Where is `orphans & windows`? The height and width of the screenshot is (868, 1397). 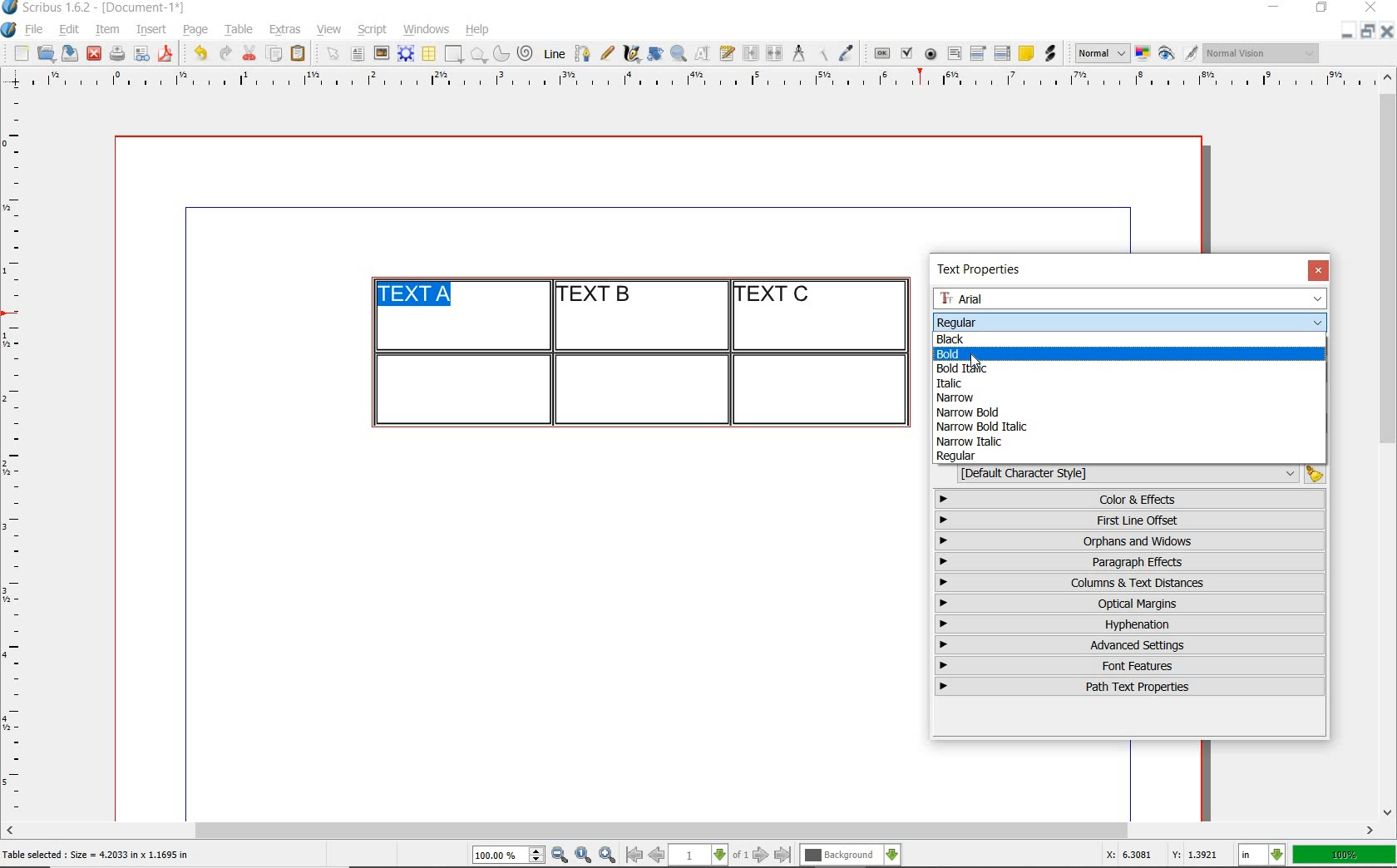 orphans & windows is located at coordinates (1128, 542).